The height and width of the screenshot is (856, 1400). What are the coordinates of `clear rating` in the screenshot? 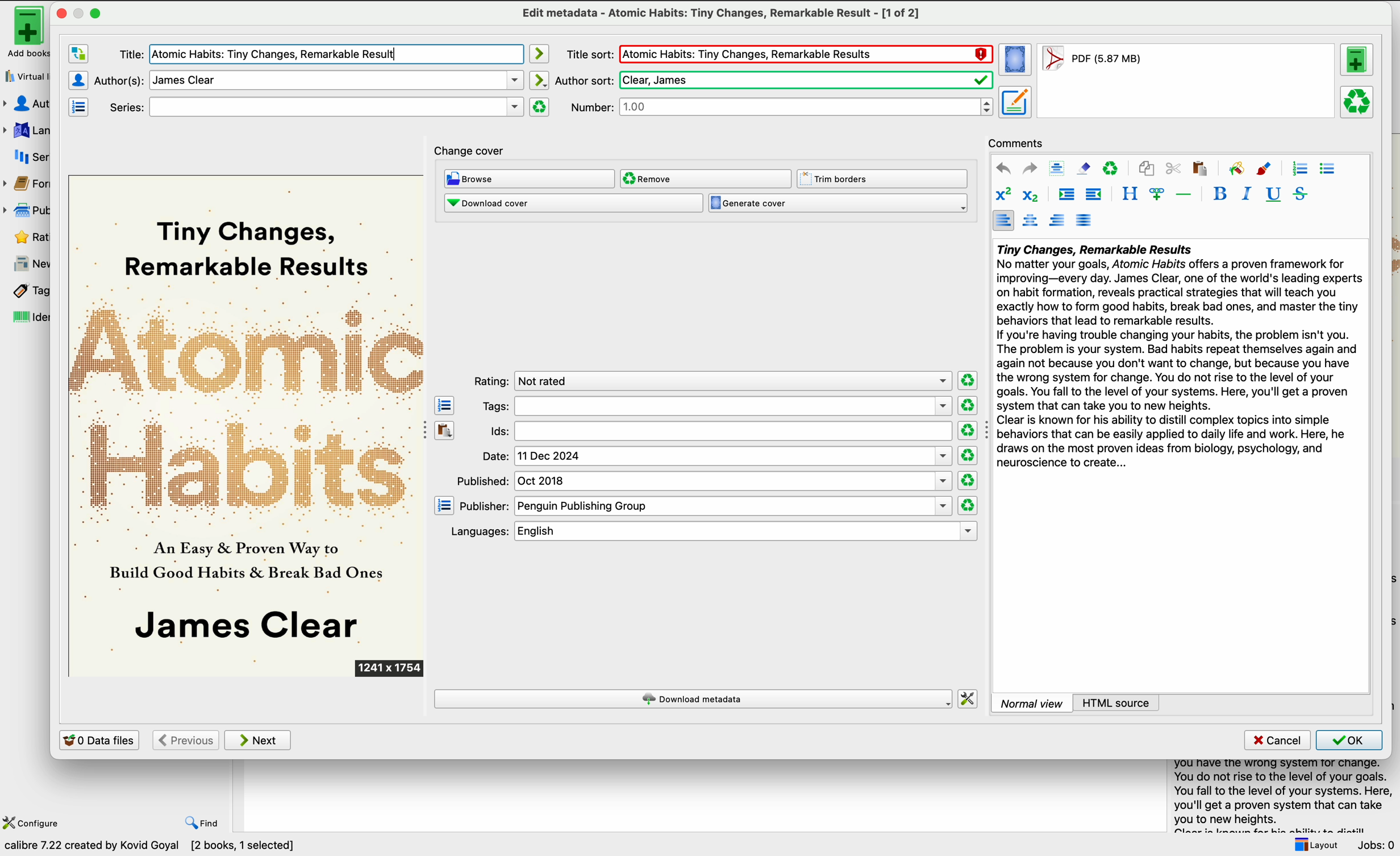 It's located at (967, 379).